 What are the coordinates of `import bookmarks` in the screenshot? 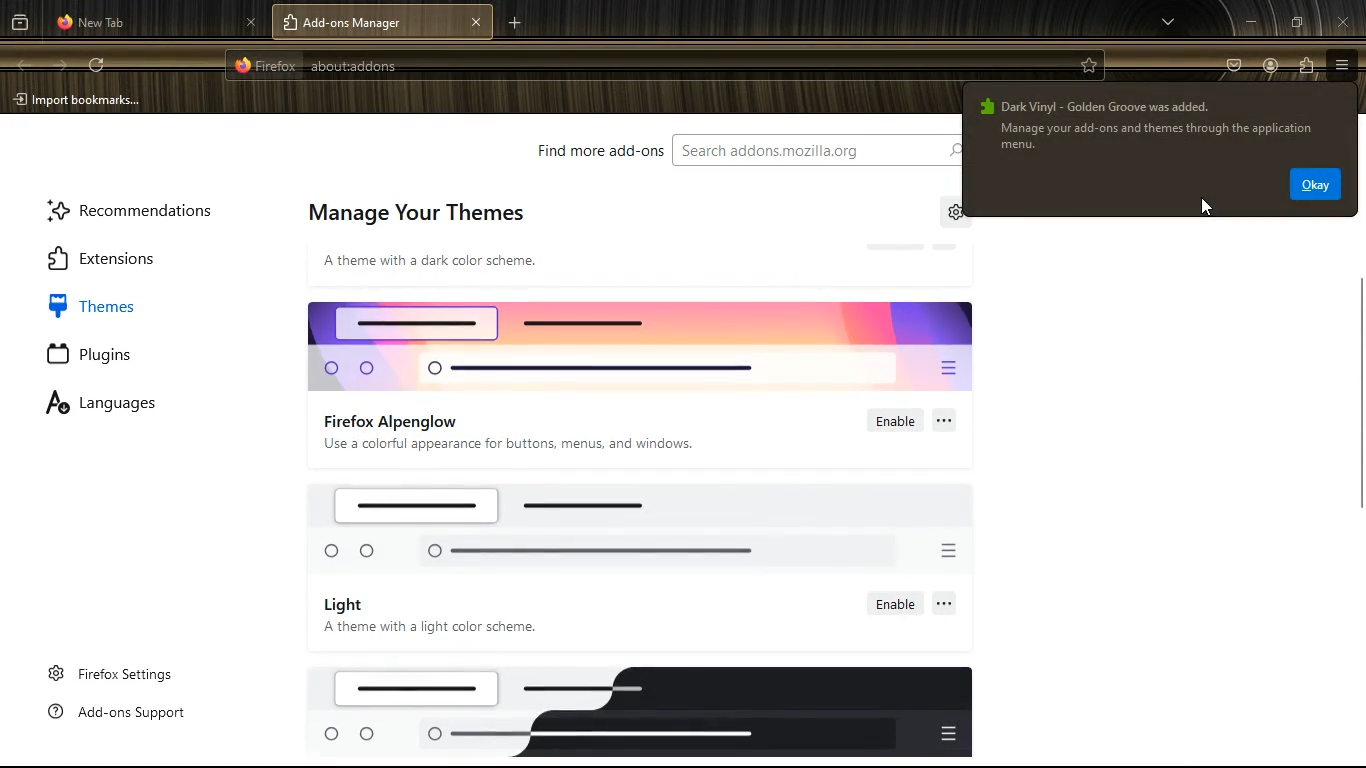 It's located at (84, 100).